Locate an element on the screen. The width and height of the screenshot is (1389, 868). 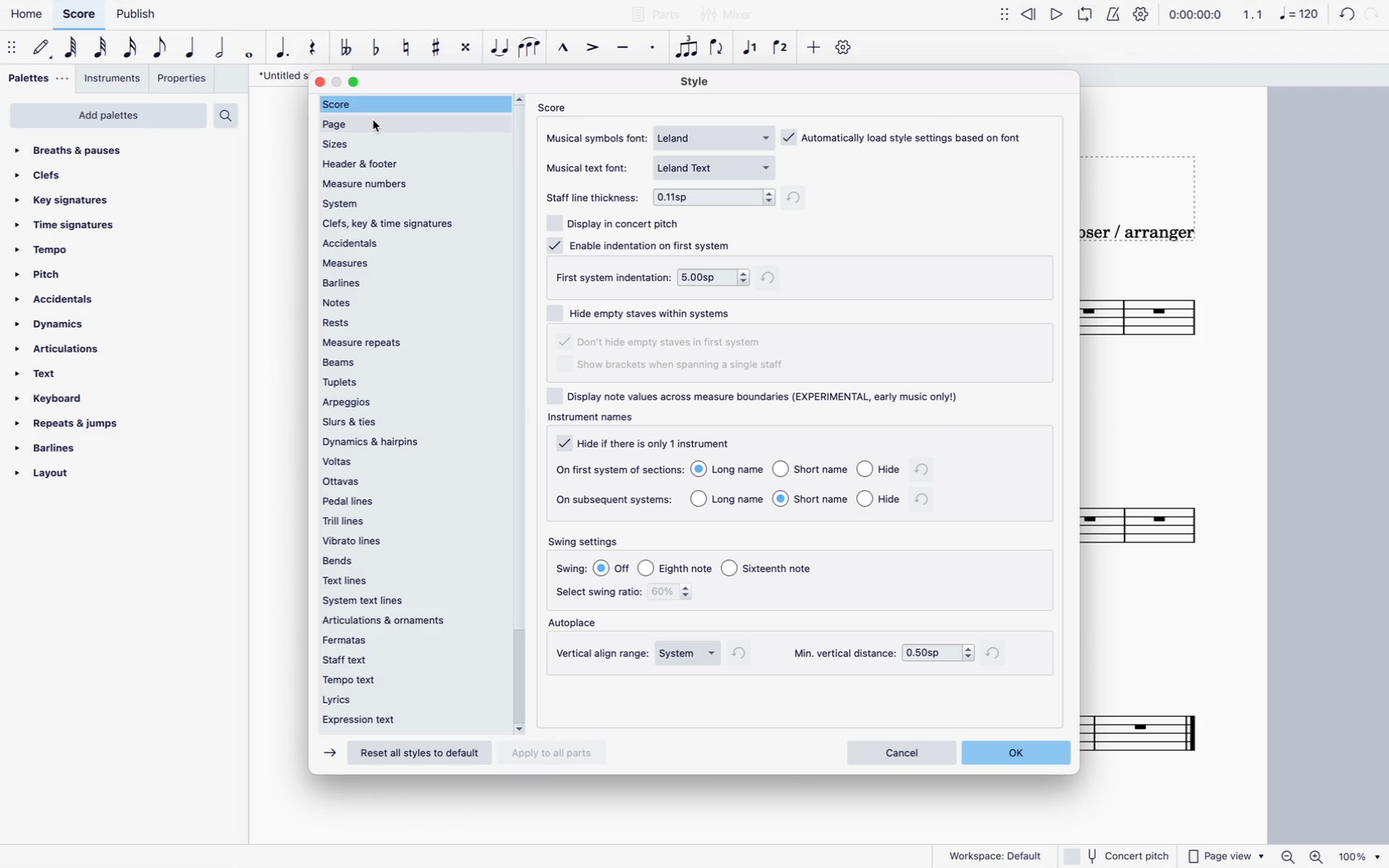
play is located at coordinates (1057, 17).